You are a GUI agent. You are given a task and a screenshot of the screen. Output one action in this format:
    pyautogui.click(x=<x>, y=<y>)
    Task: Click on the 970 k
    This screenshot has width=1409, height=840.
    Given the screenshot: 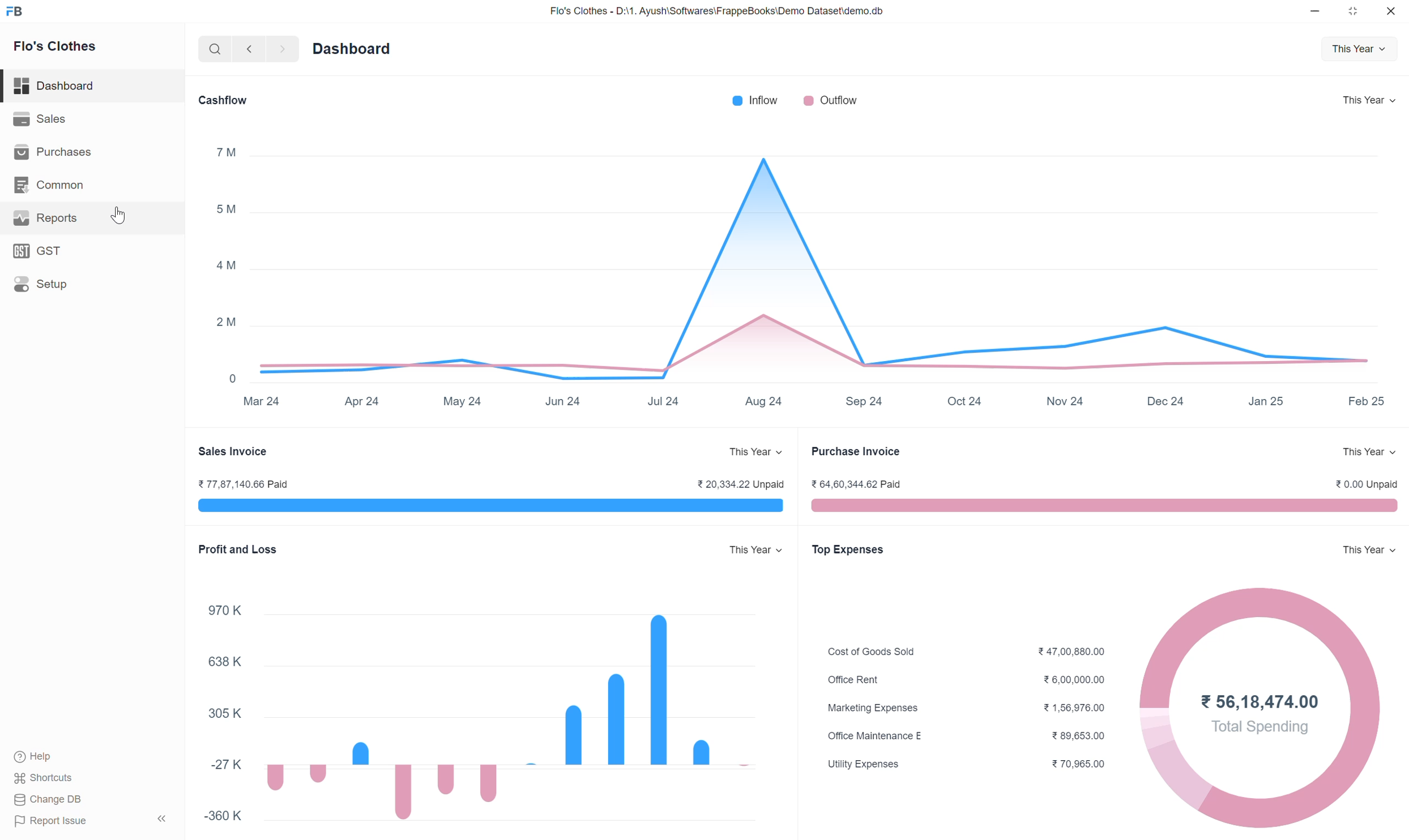 What is the action you would take?
    pyautogui.click(x=227, y=611)
    